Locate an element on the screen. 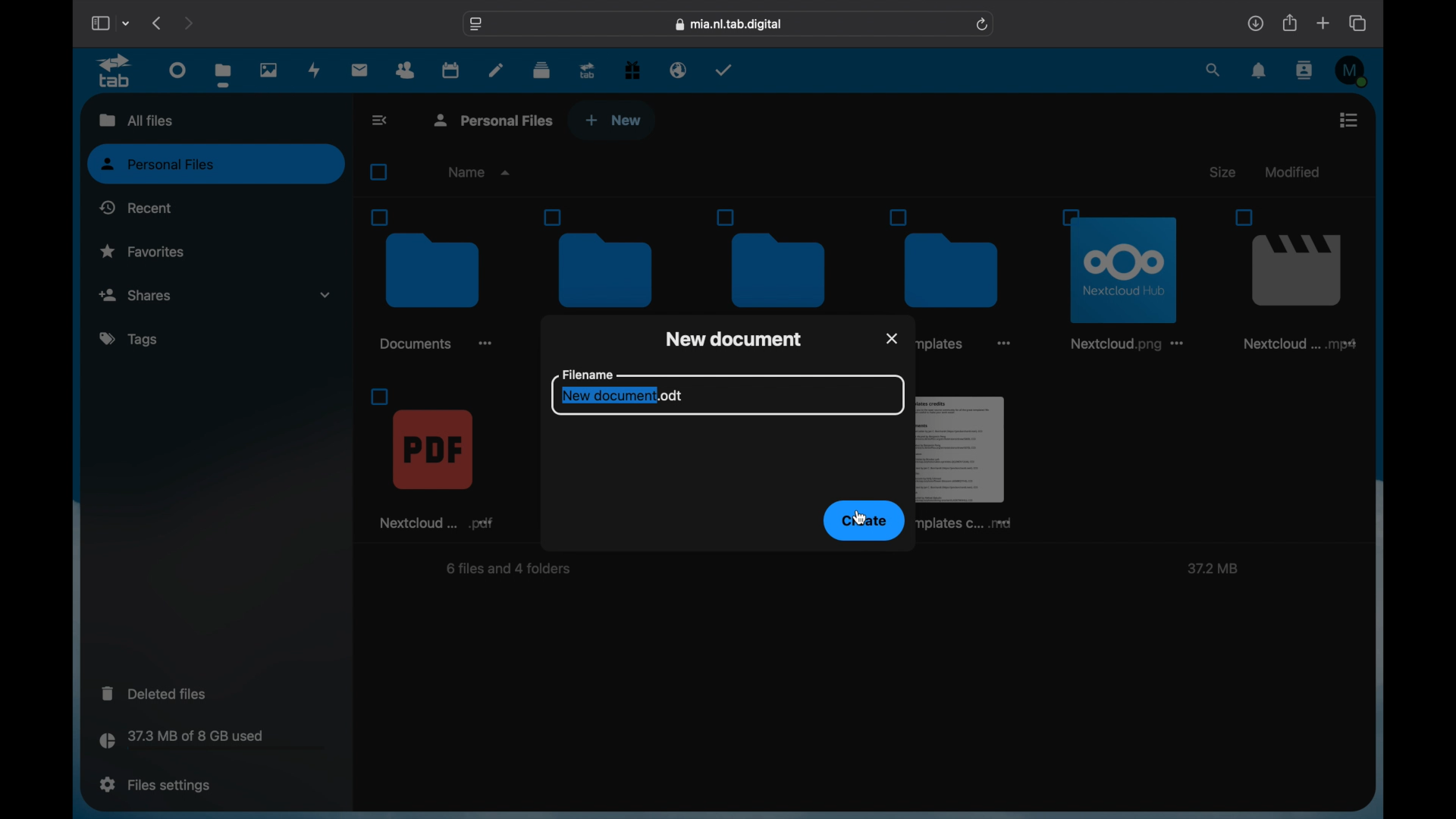  file is located at coordinates (1127, 276).